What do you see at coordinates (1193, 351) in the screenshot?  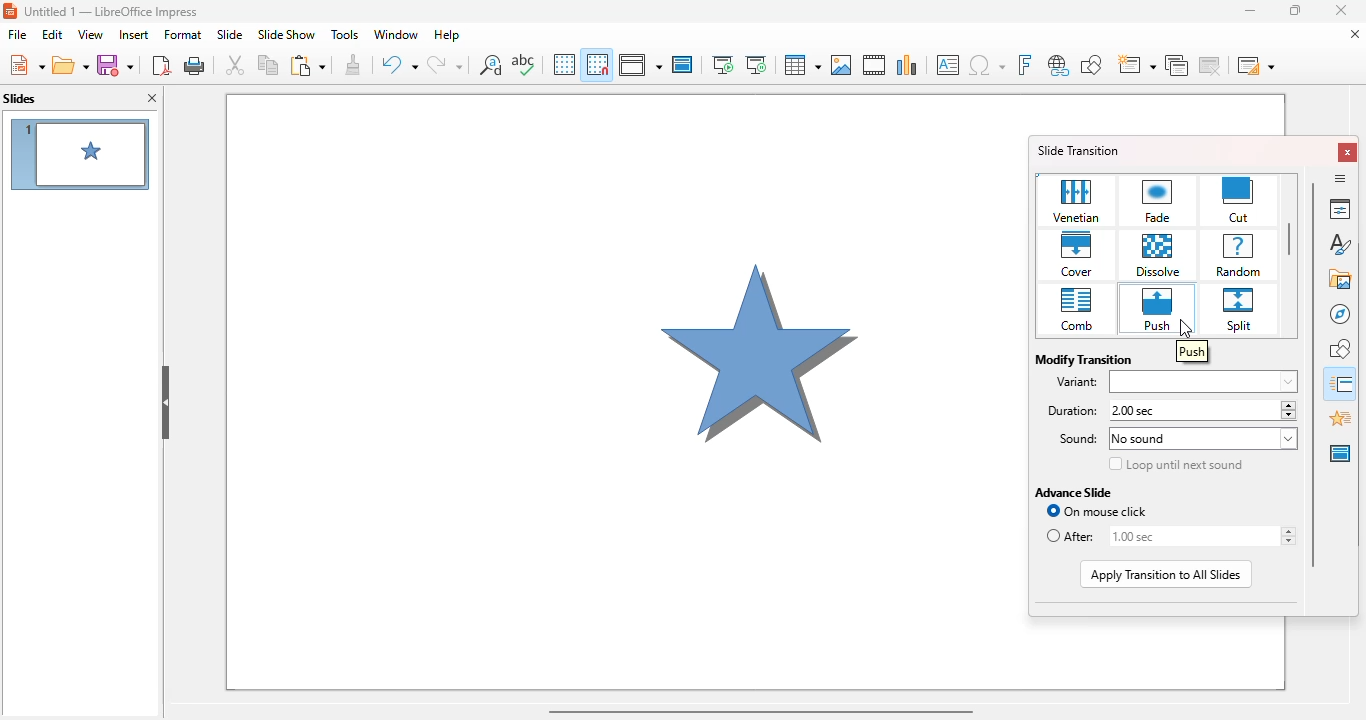 I see `push` at bounding box center [1193, 351].